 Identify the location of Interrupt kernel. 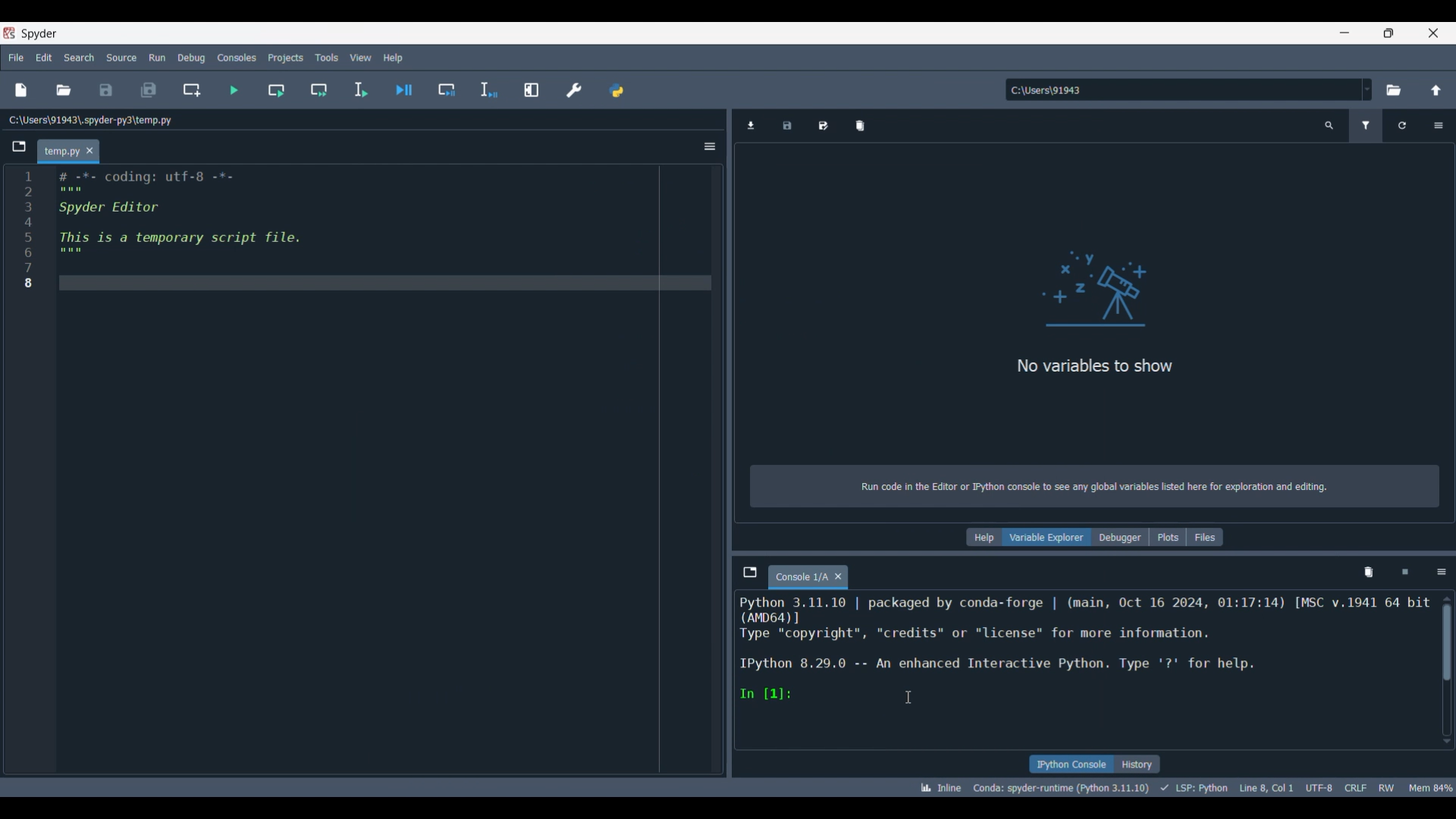
(1405, 573).